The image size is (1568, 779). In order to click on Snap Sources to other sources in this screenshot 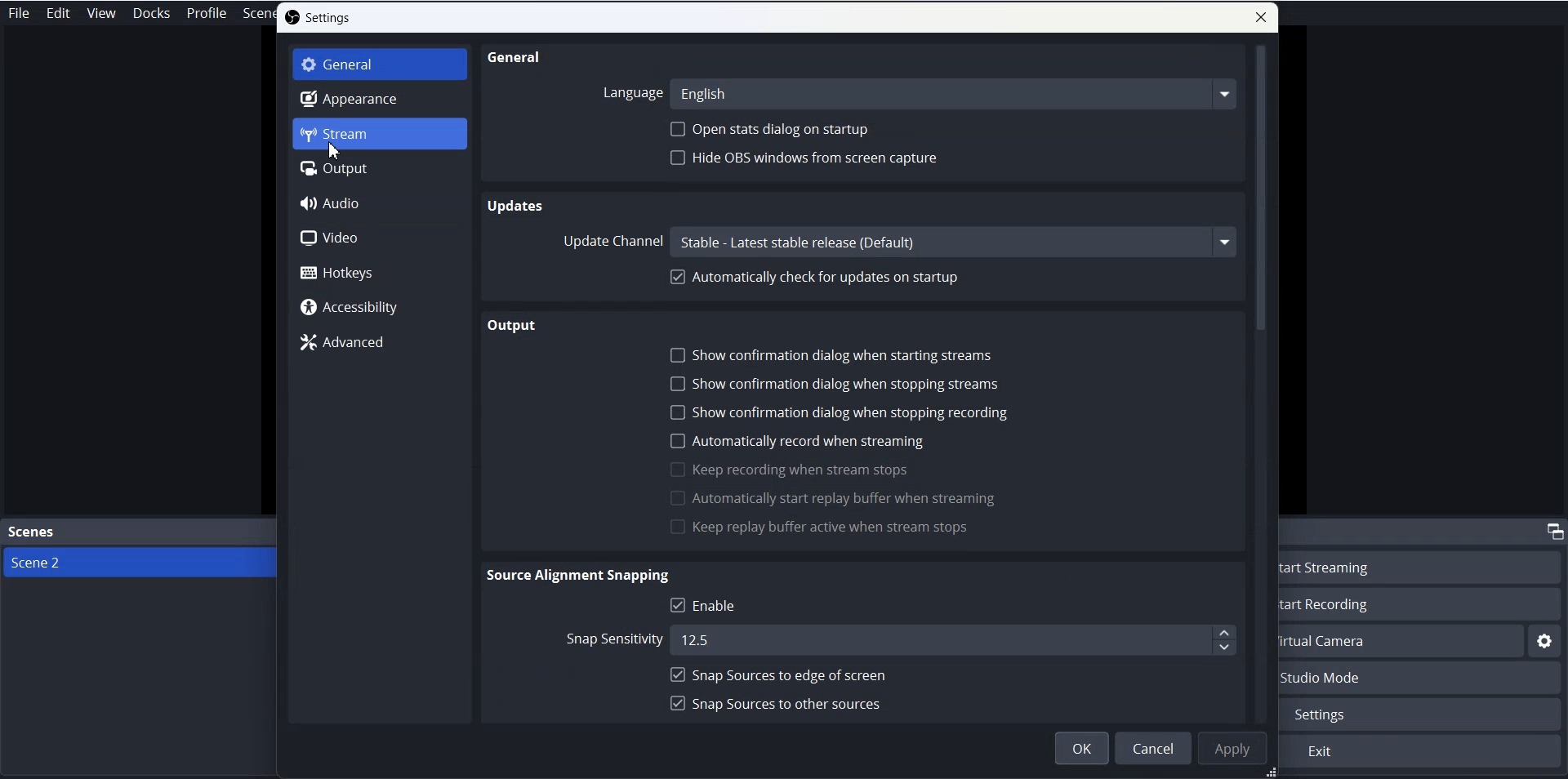, I will do `click(777, 703)`.